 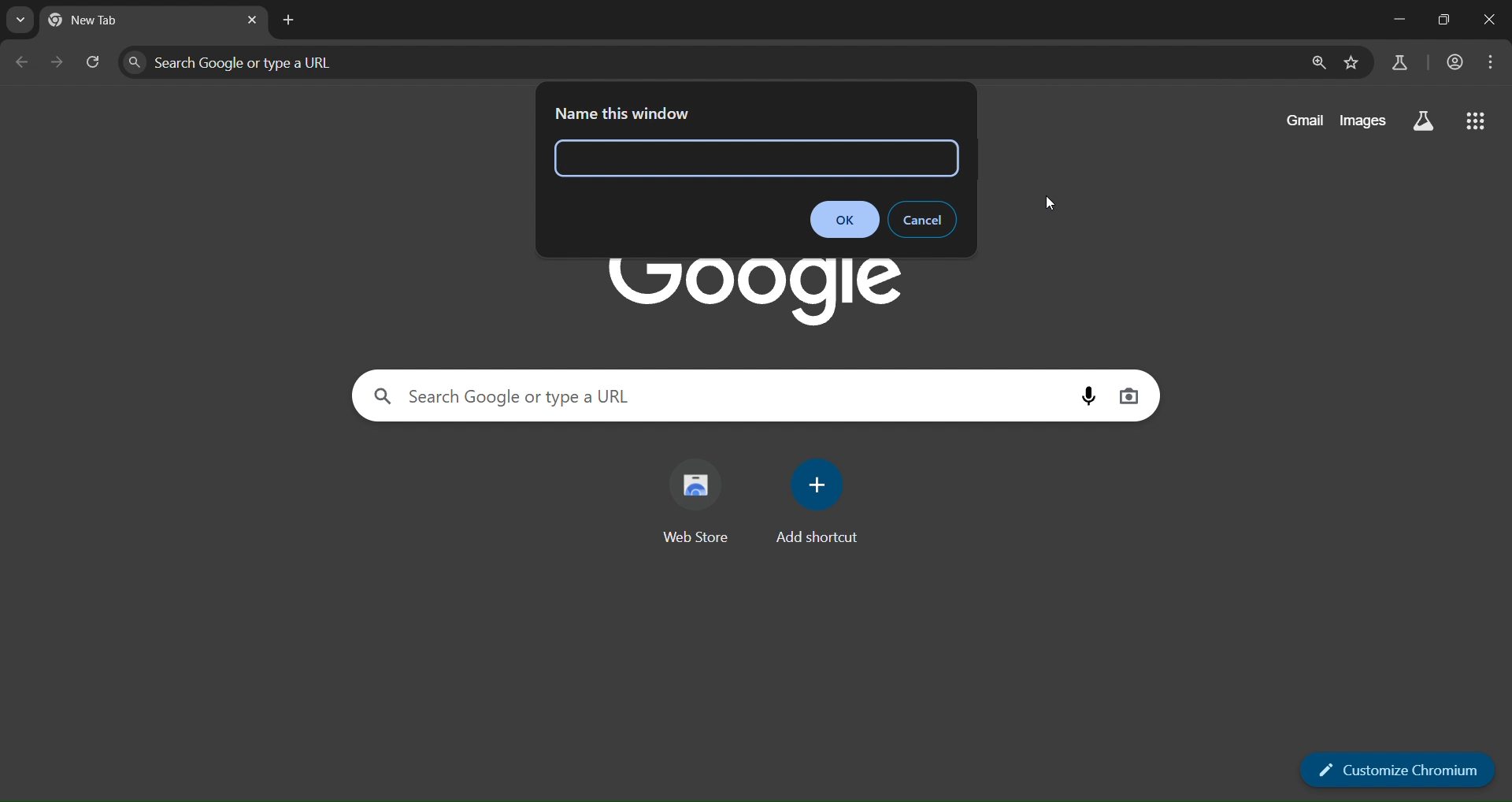 What do you see at coordinates (1399, 62) in the screenshot?
I see `search labs` at bounding box center [1399, 62].